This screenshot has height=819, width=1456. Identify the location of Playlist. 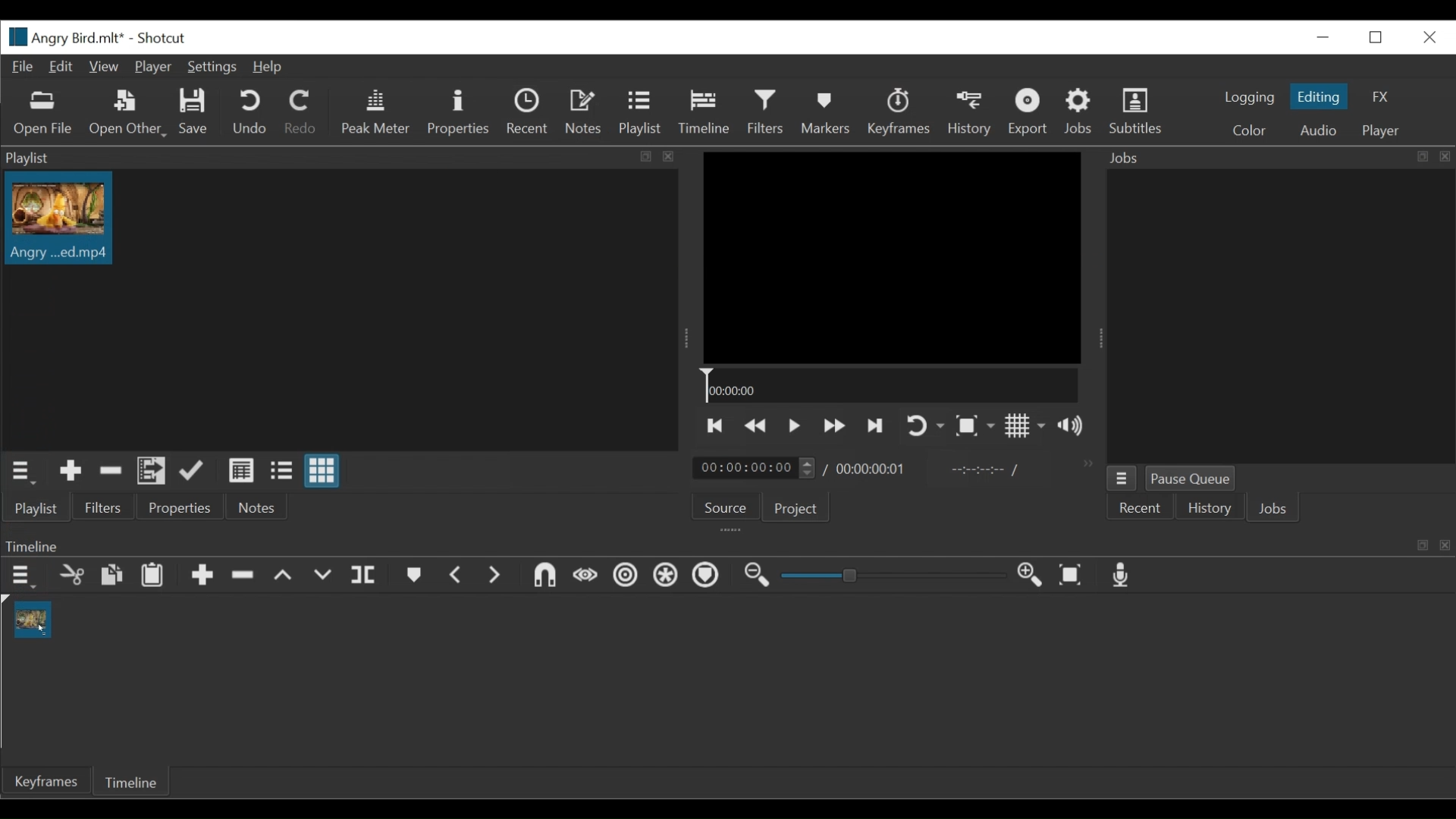
(640, 111).